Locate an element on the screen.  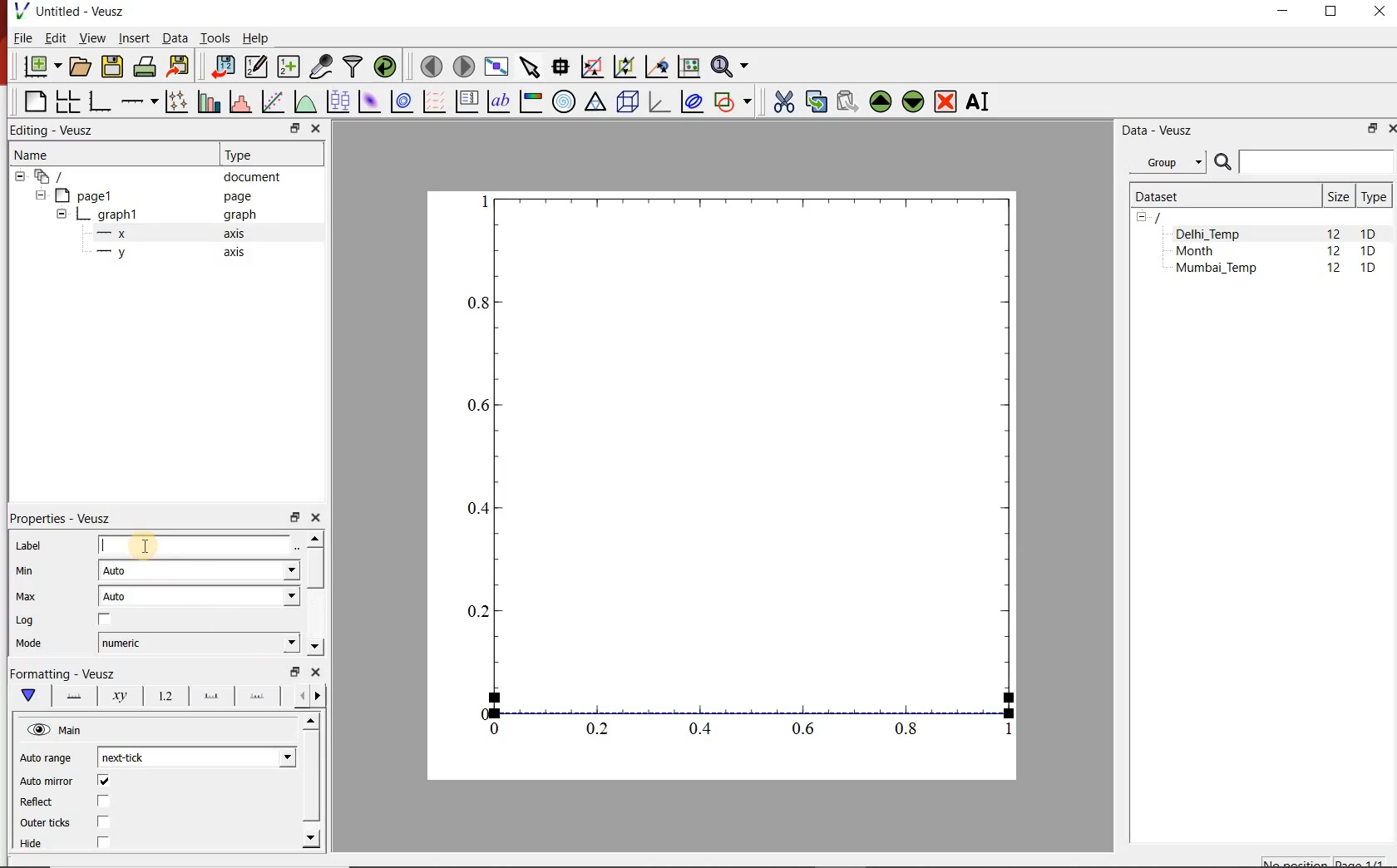
Label is located at coordinates (27, 545).